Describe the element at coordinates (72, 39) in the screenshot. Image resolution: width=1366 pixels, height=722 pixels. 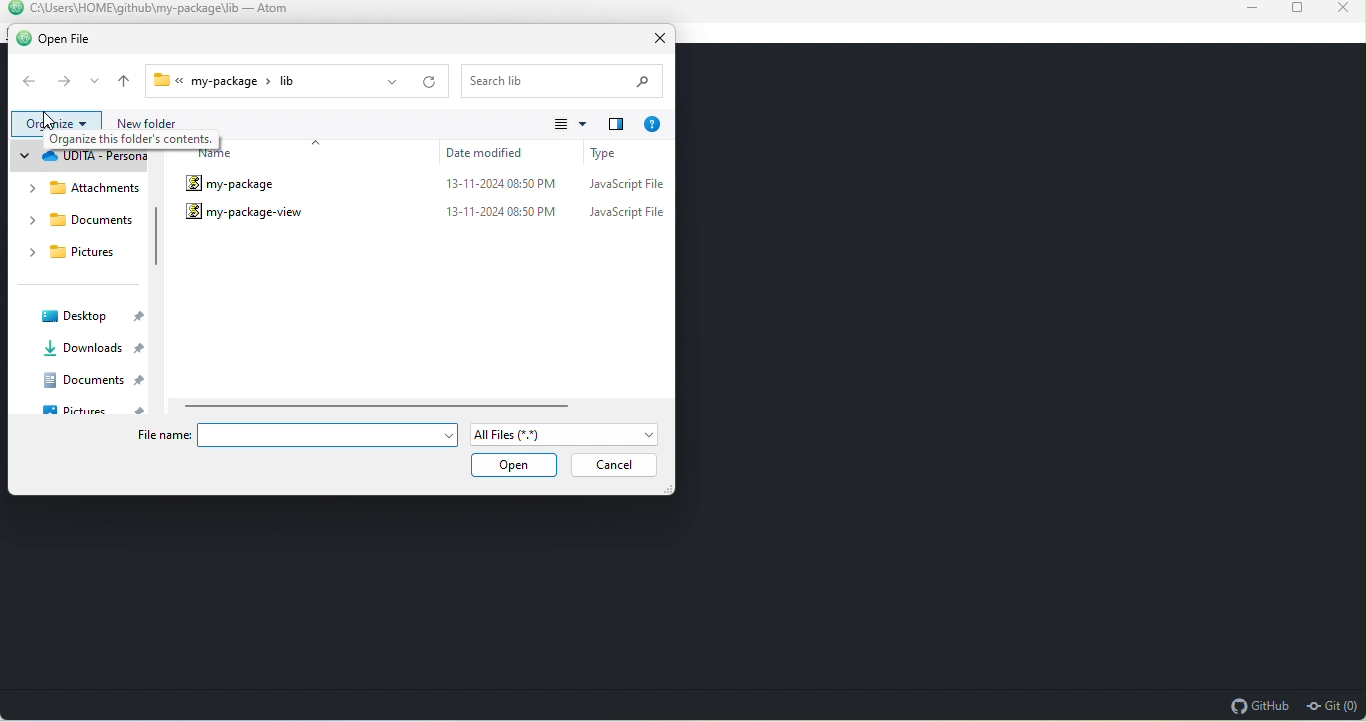
I see `open file` at that location.